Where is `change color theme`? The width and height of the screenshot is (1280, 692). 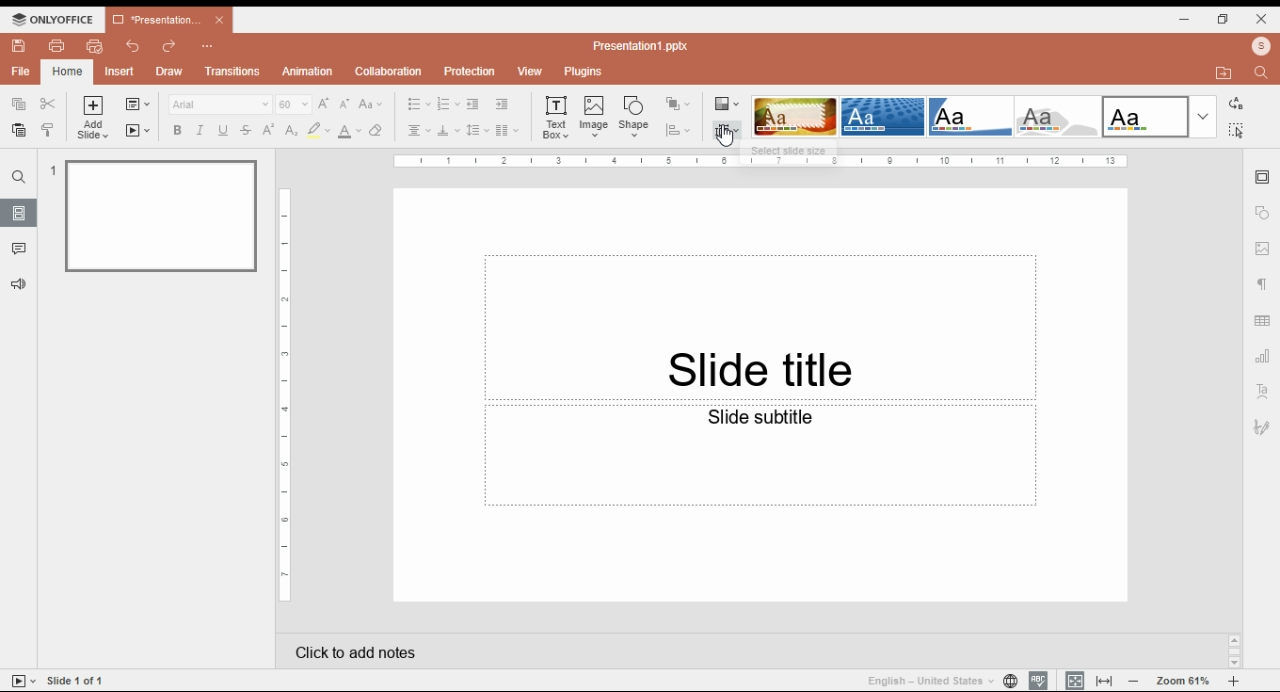
change color theme is located at coordinates (727, 104).